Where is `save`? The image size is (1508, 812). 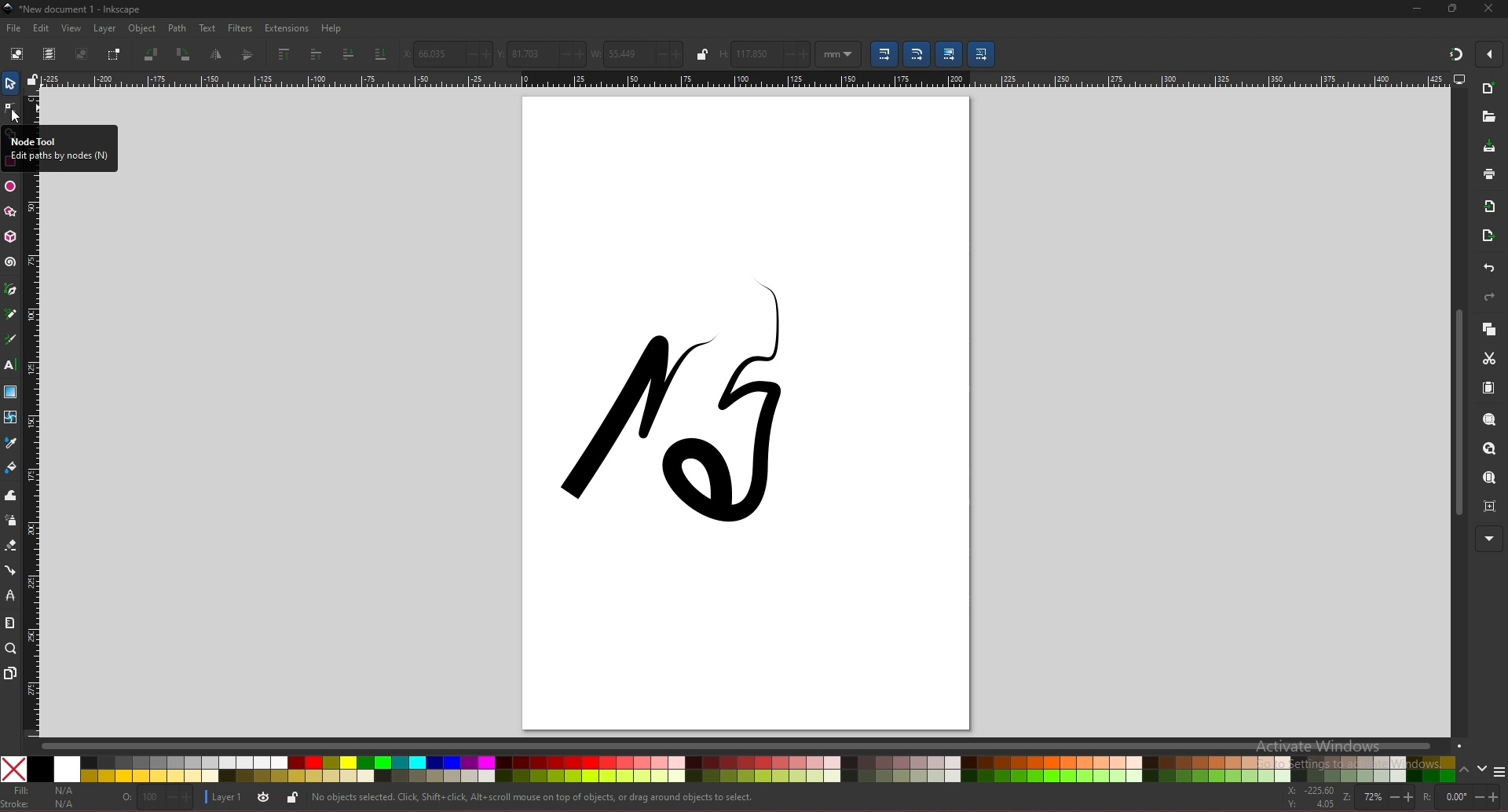 save is located at coordinates (1489, 146).